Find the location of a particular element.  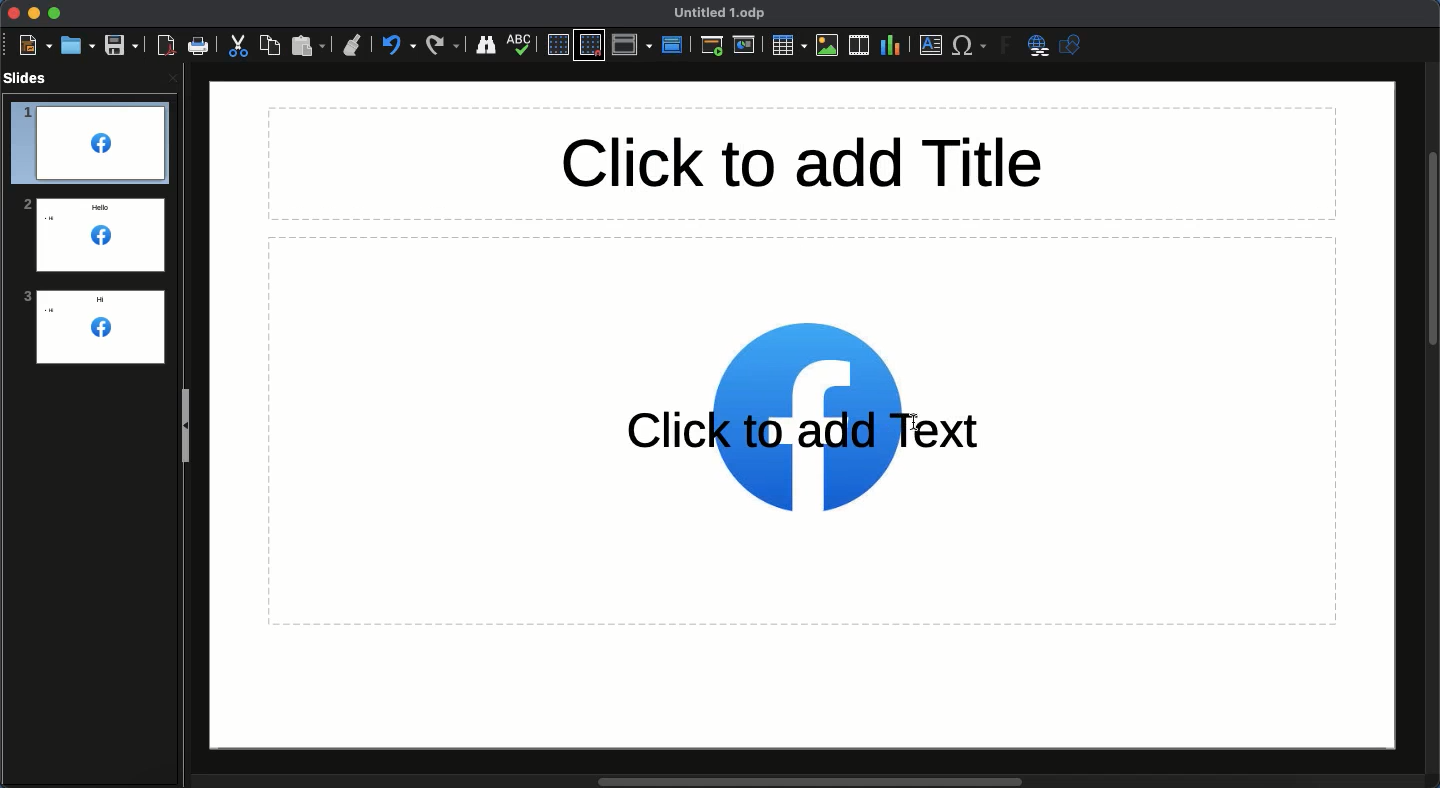

Minimize is located at coordinates (33, 13).